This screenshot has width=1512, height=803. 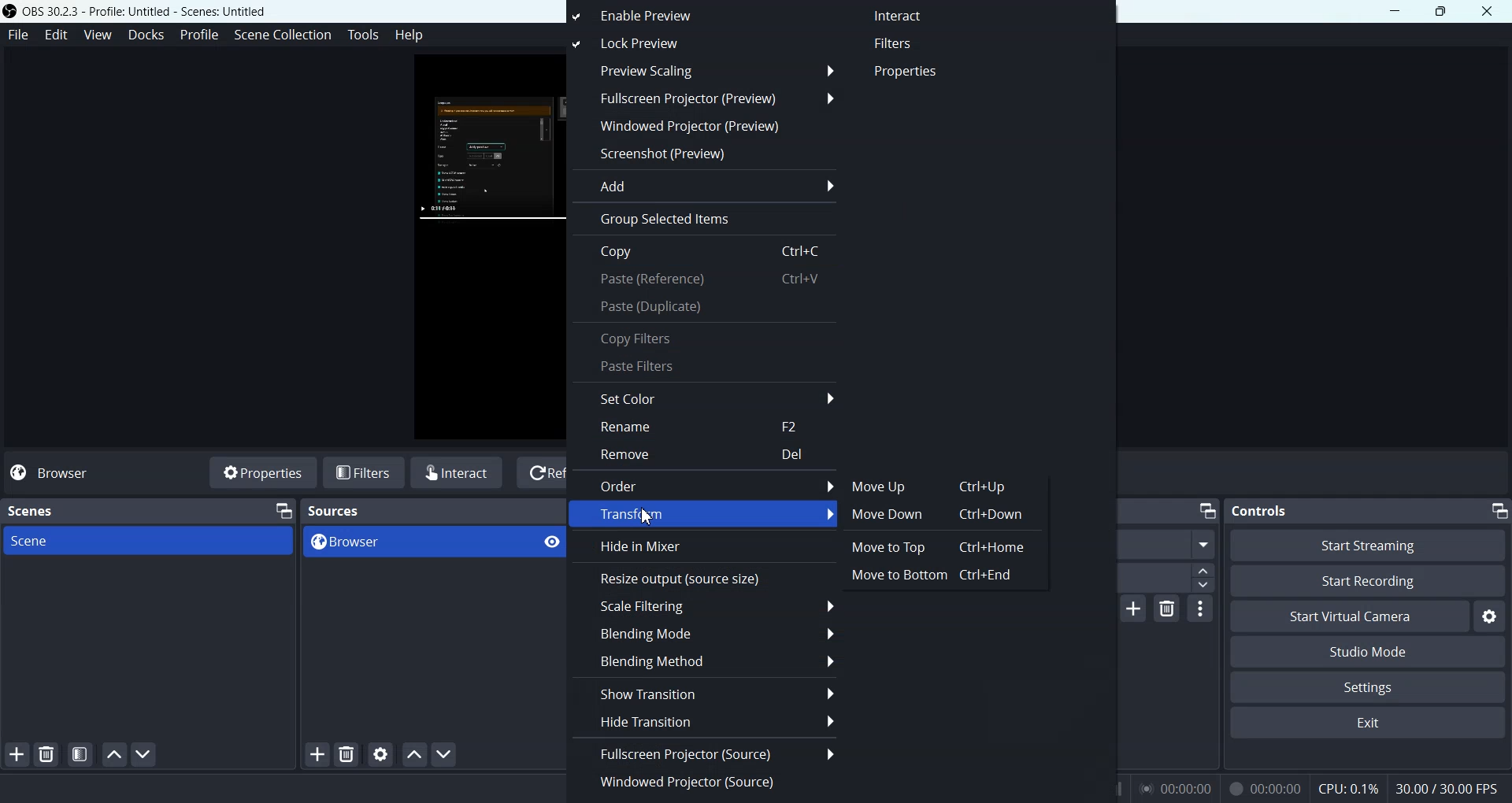 I want to click on Move Scene Down, so click(x=447, y=755).